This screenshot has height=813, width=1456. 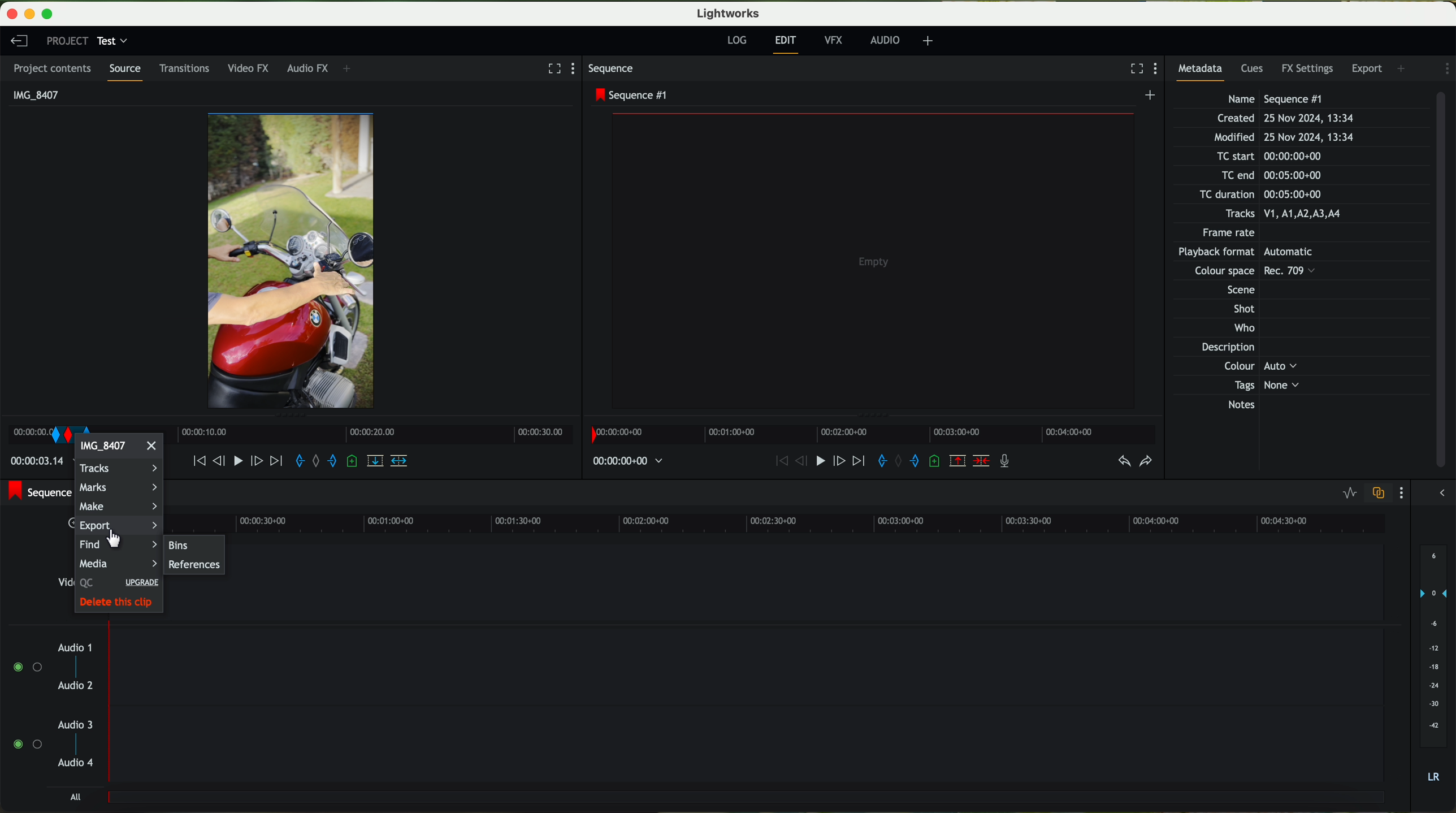 What do you see at coordinates (400, 460) in the screenshot?
I see `insert into the target sequence` at bounding box center [400, 460].